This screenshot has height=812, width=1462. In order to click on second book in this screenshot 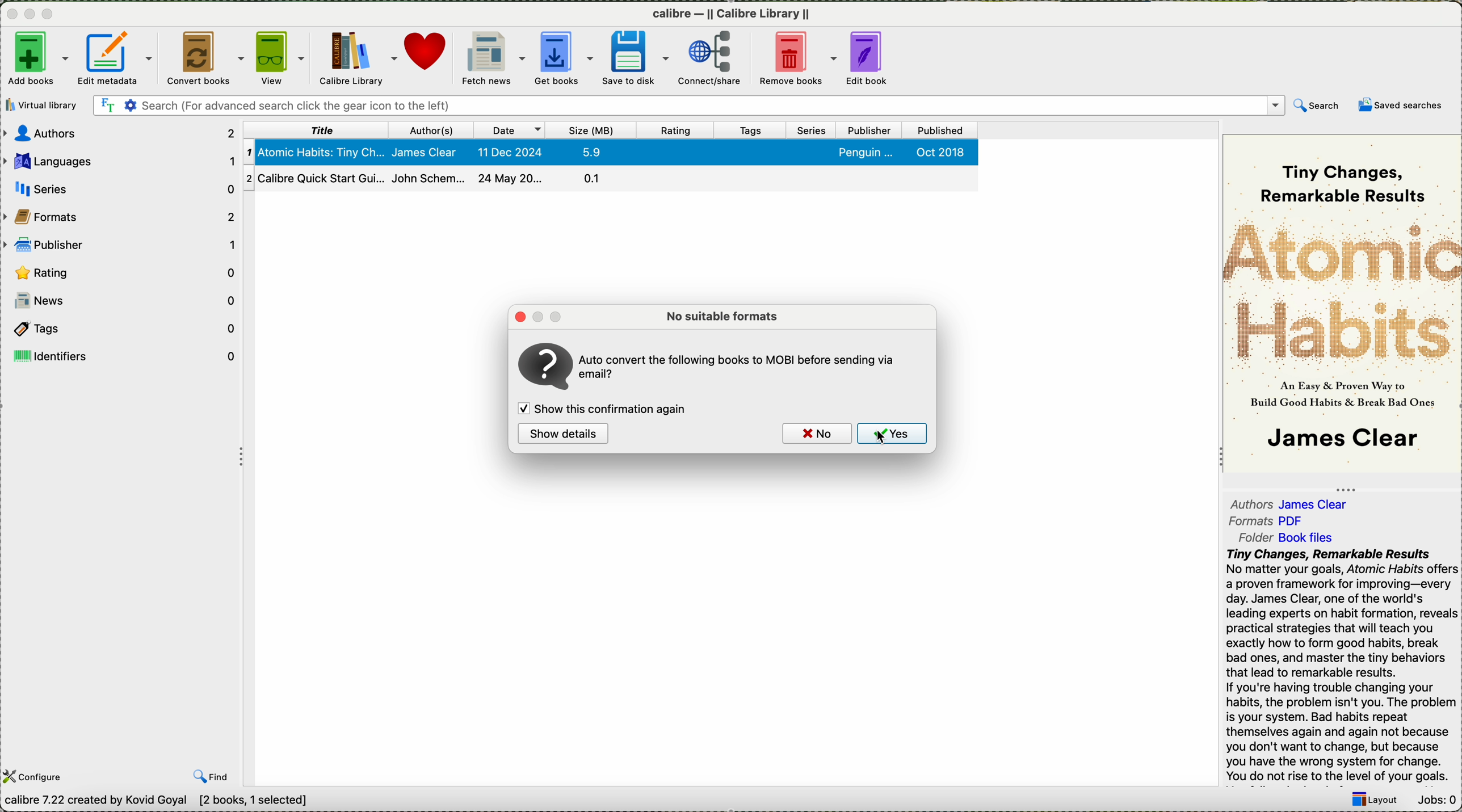, I will do `click(611, 181)`.